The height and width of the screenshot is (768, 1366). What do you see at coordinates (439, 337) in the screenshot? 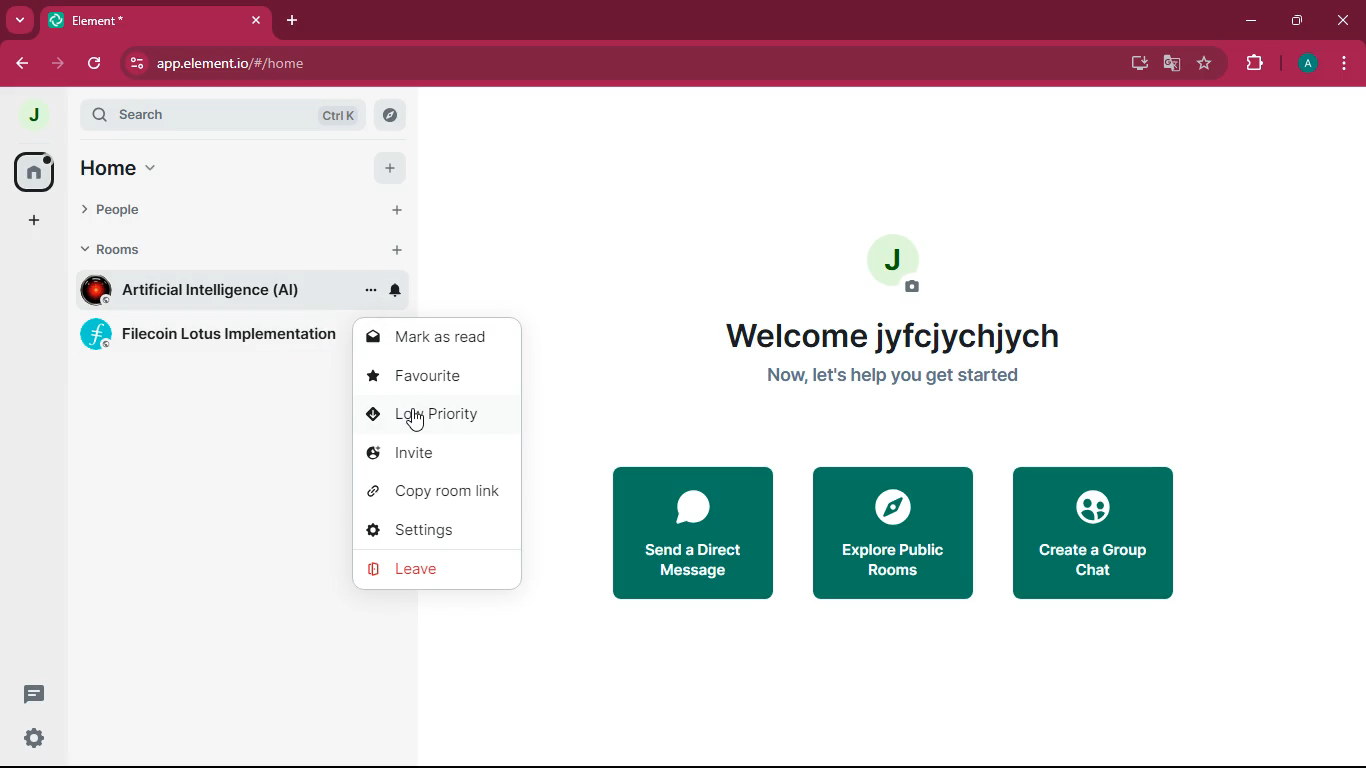
I see `mark as read` at bounding box center [439, 337].